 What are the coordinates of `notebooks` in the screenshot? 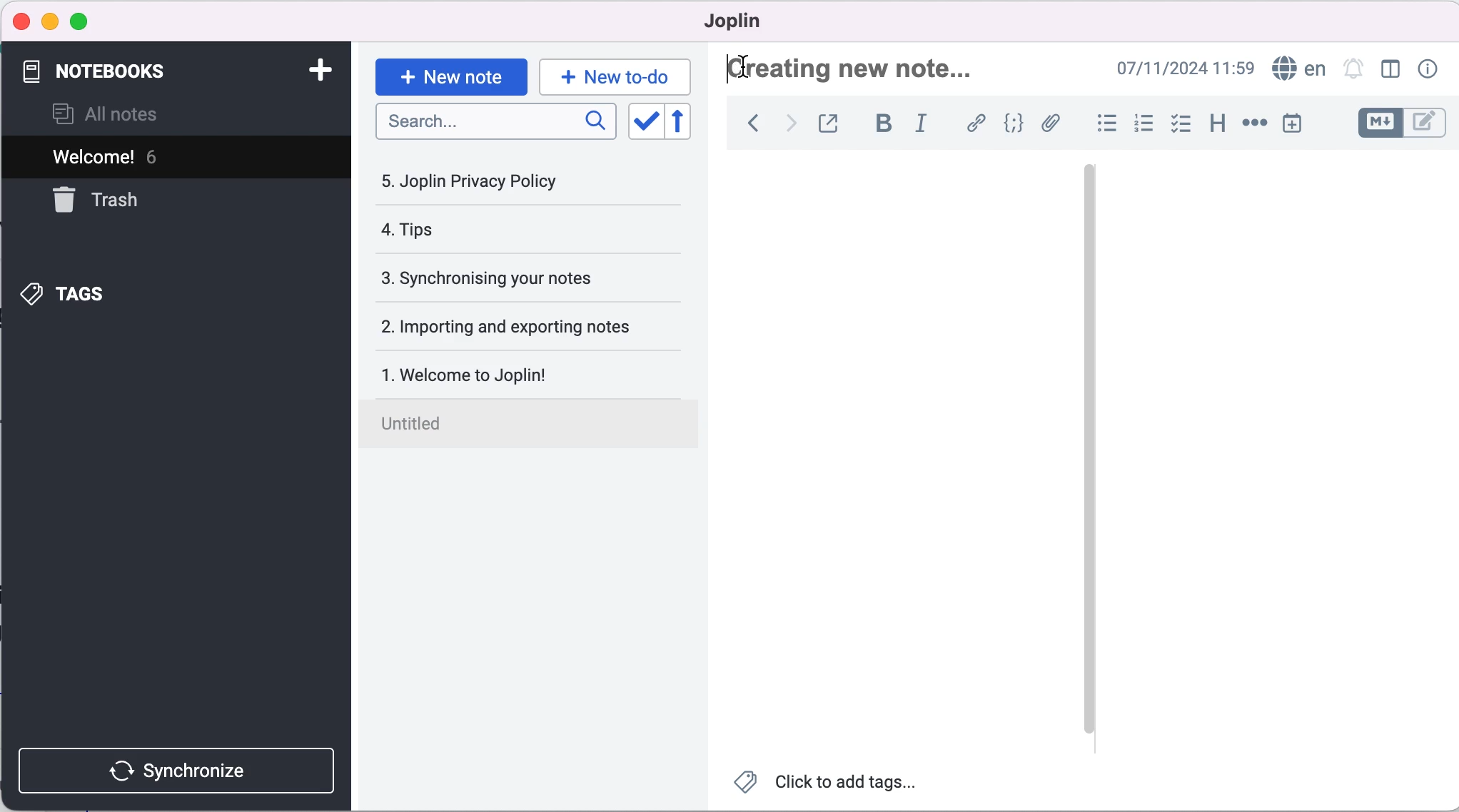 It's located at (108, 68).